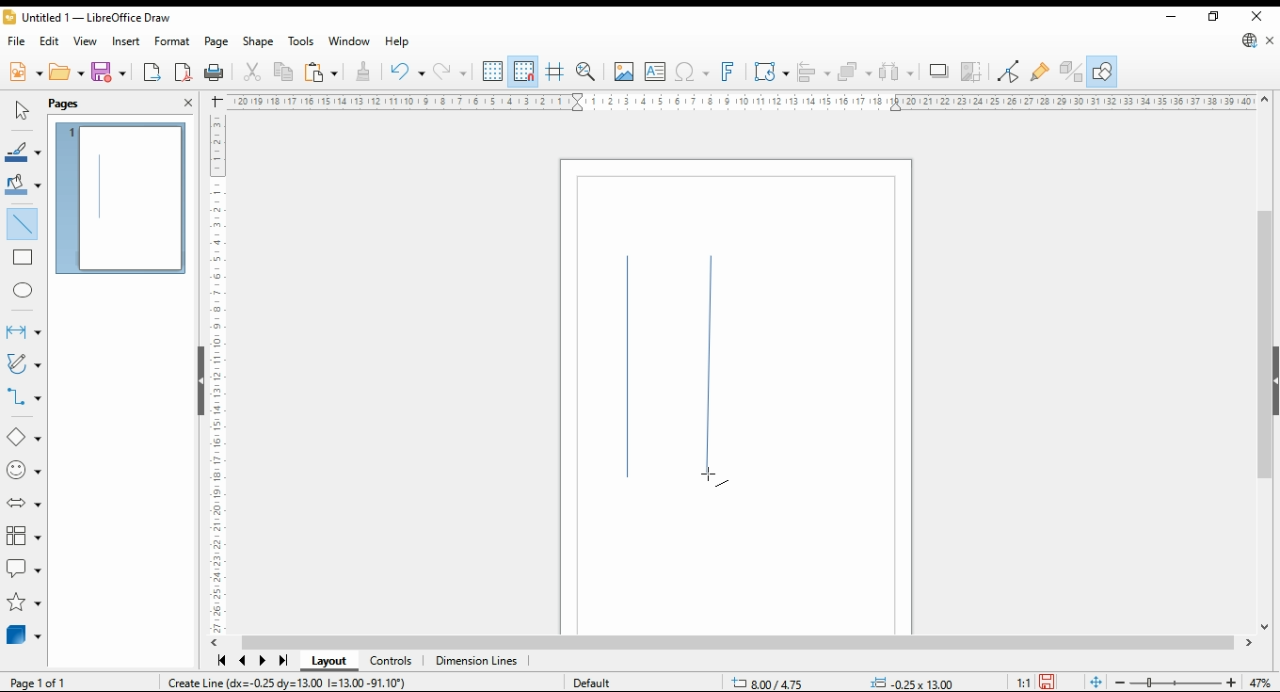  Describe the element at coordinates (50, 40) in the screenshot. I see `edit` at that location.